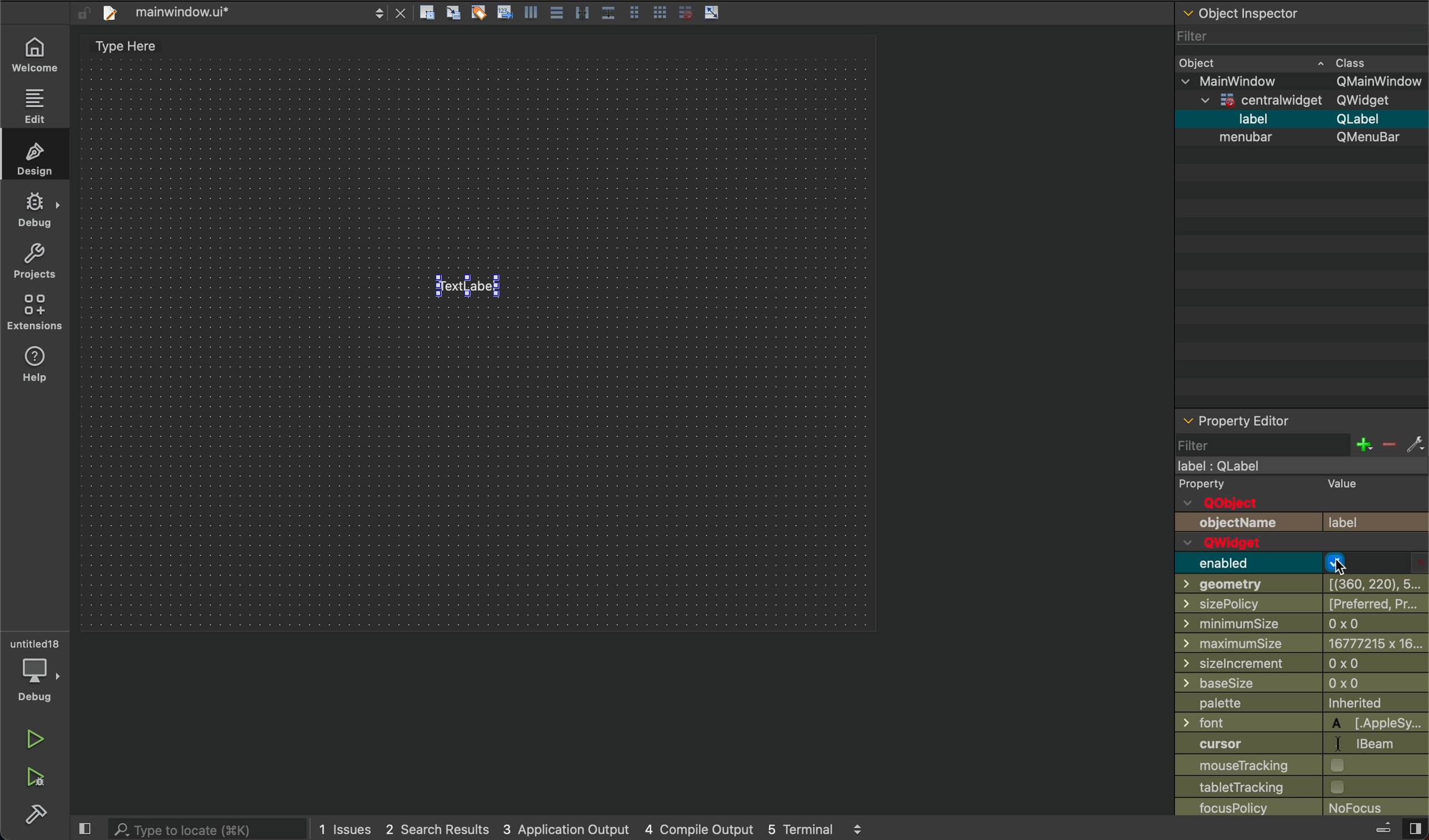 Image resolution: width=1429 pixels, height=840 pixels. I want to click on label, so click(1364, 521).